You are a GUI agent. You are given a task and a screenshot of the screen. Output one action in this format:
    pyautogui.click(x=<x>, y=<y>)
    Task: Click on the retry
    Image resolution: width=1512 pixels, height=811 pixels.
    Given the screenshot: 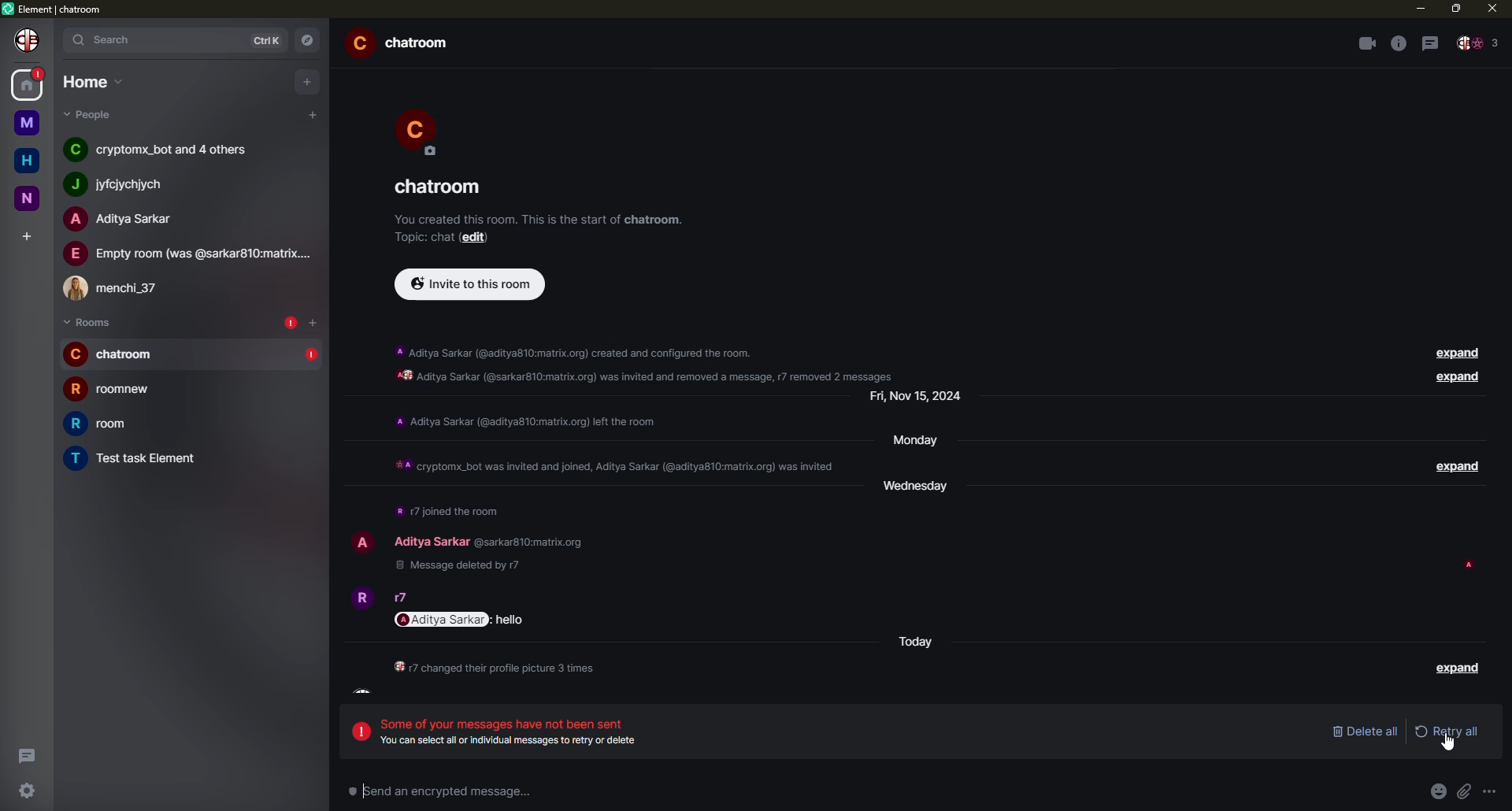 What is the action you would take?
    pyautogui.click(x=1447, y=730)
    